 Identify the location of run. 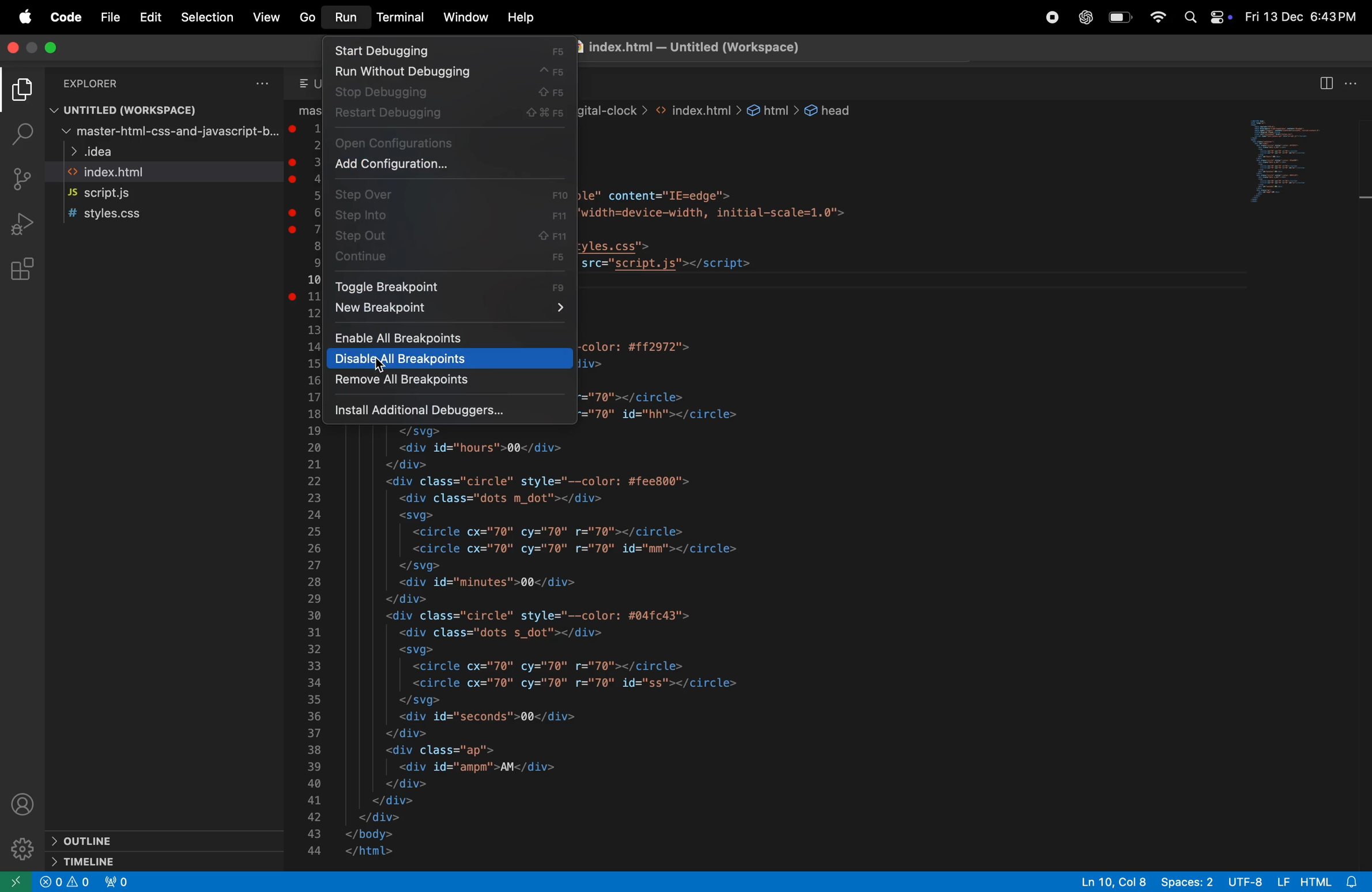
(346, 17).